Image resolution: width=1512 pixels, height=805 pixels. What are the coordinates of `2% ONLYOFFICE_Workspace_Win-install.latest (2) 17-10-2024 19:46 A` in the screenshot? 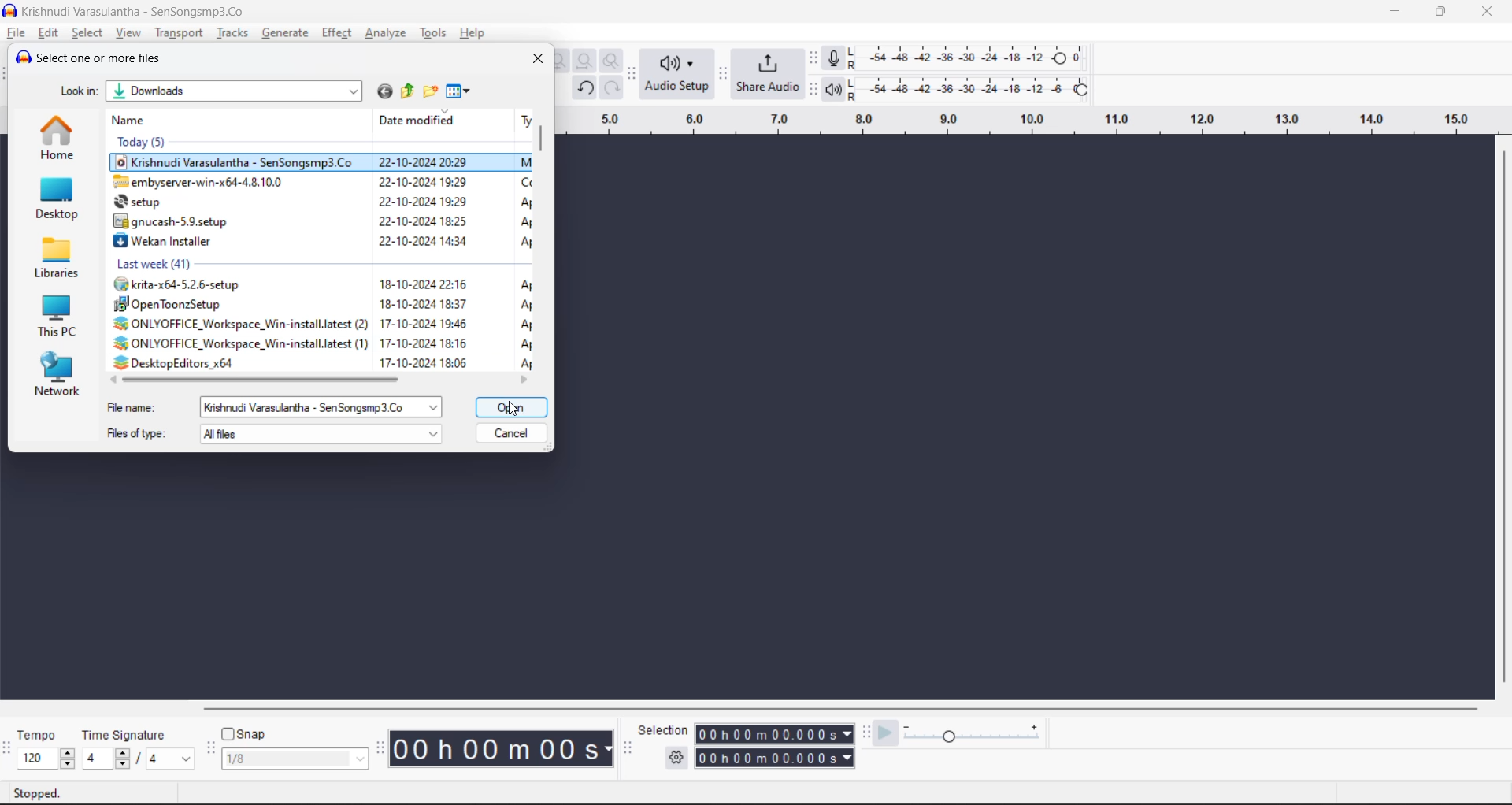 It's located at (322, 322).